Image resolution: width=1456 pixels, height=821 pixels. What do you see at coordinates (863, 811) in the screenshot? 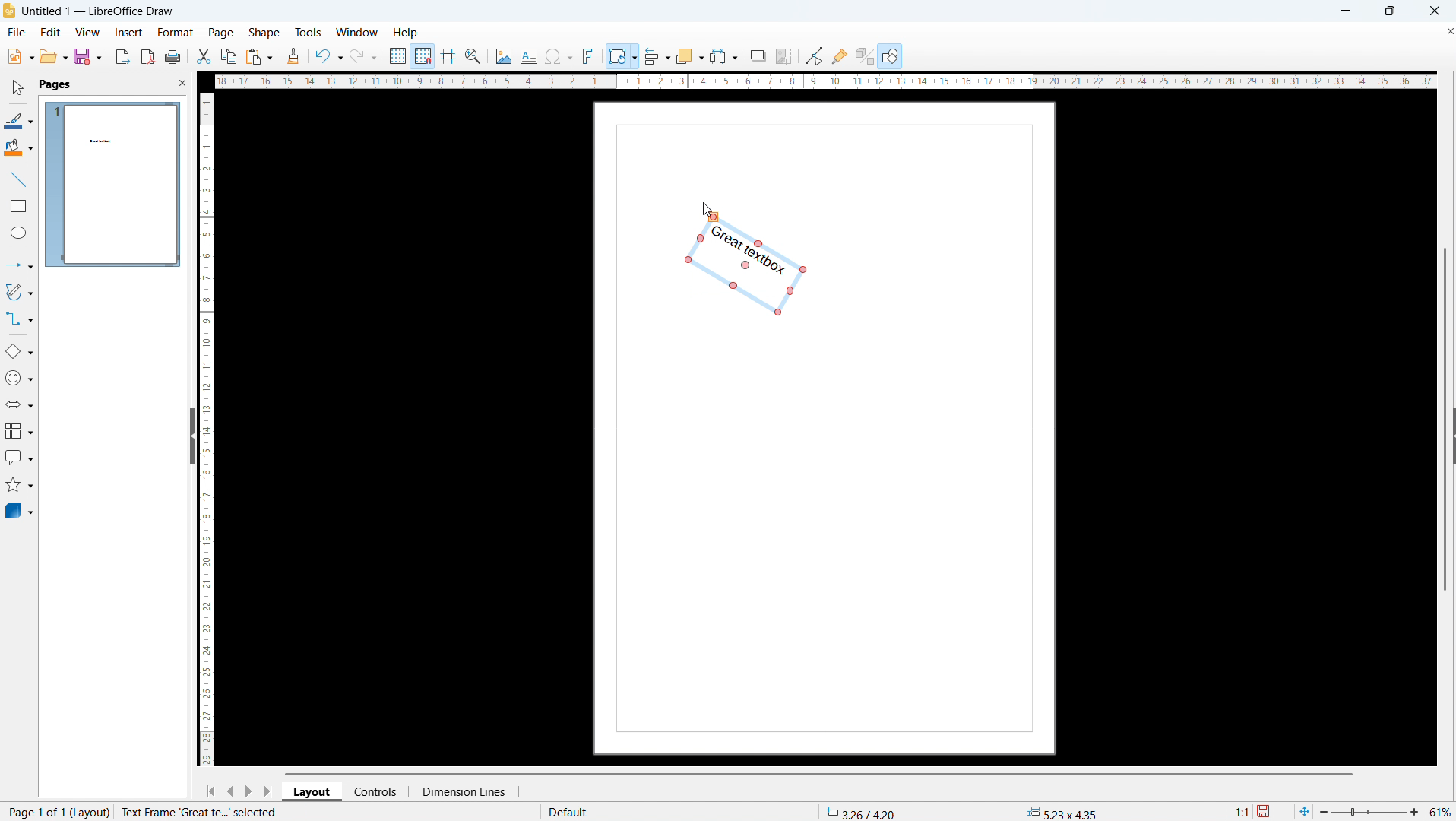
I see `cursor coordinates` at bounding box center [863, 811].